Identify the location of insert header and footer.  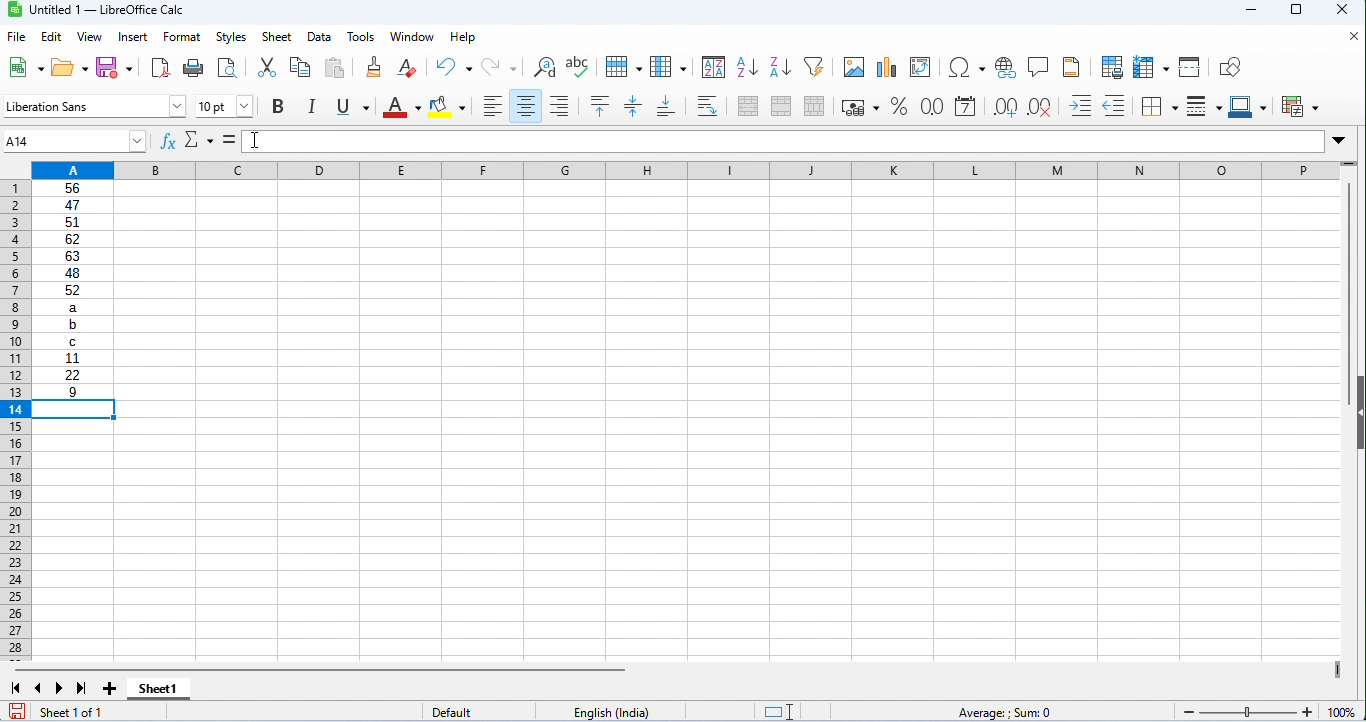
(1072, 66).